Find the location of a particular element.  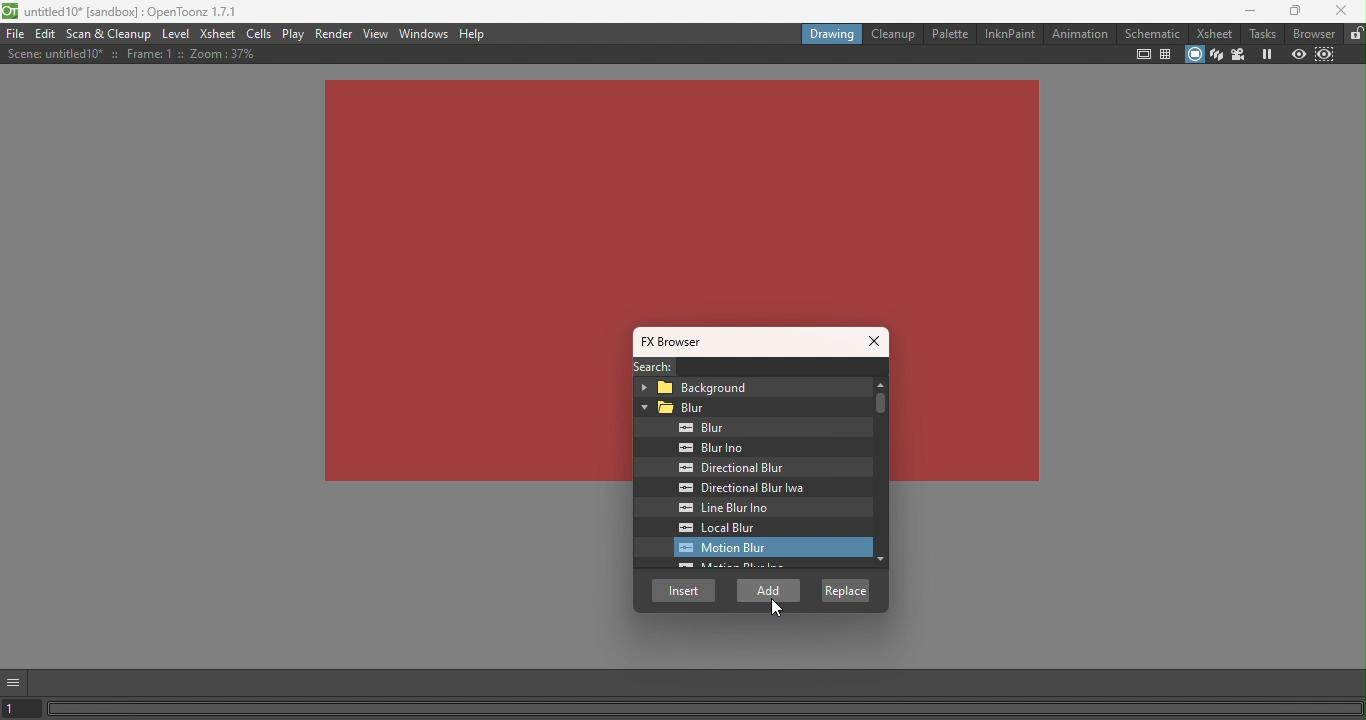

Close is located at coordinates (876, 343).